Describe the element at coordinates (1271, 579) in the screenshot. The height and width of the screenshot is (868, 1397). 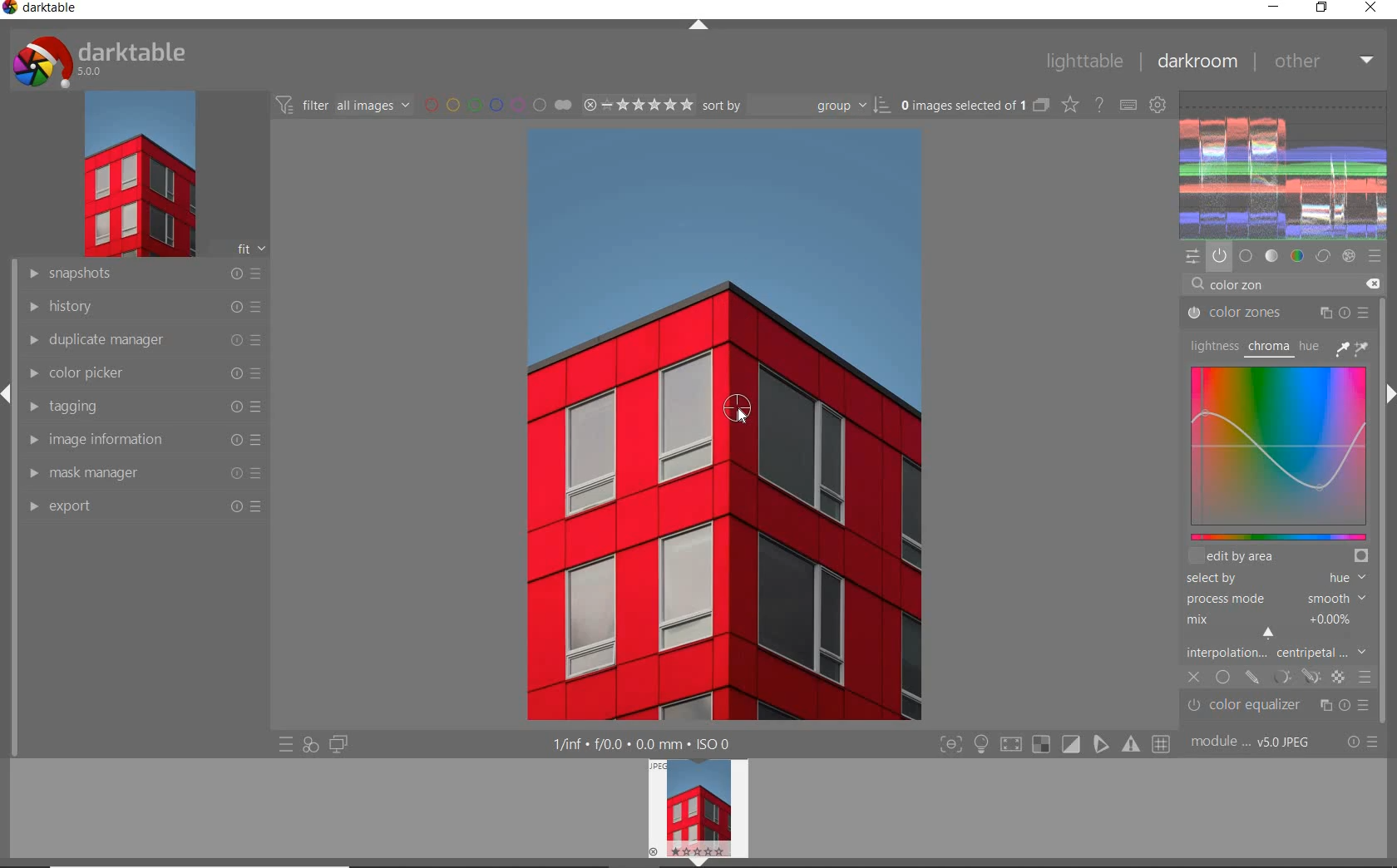
I see `SELECTED BY` at that location.